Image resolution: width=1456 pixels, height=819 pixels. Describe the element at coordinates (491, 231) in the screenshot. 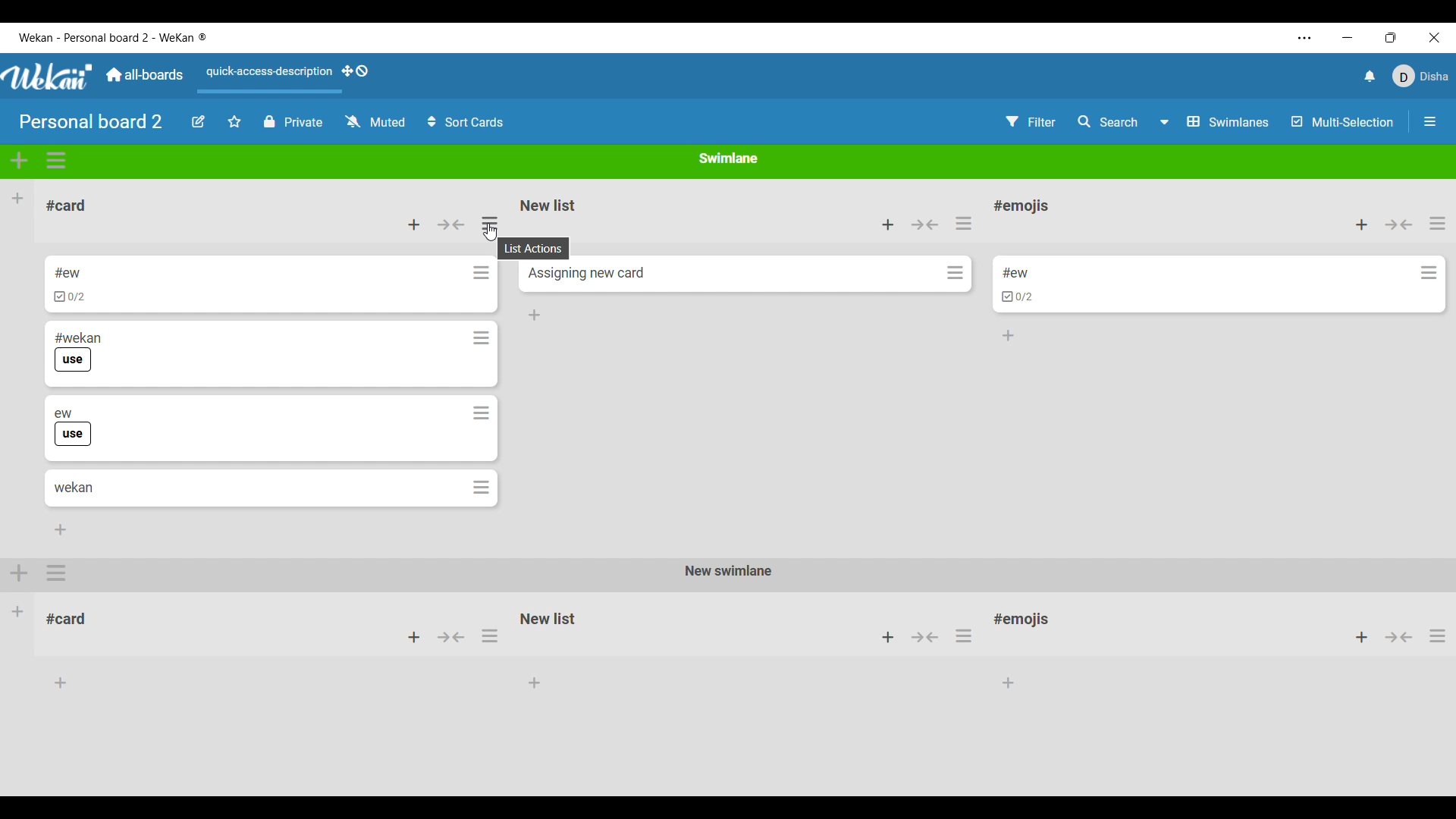

I see `cursor` at that location.